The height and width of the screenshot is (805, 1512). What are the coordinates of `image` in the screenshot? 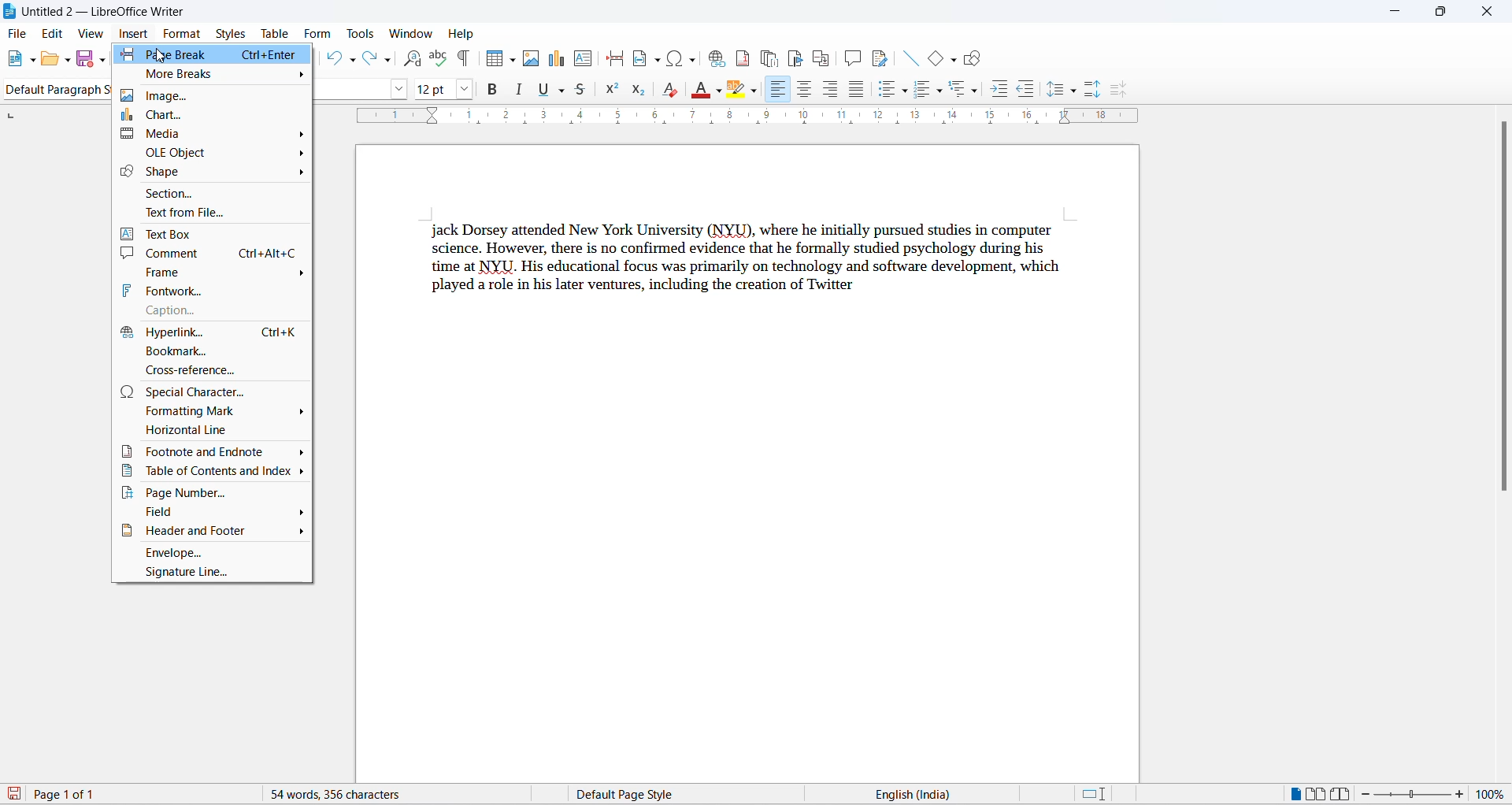 It's located at (218, 94).